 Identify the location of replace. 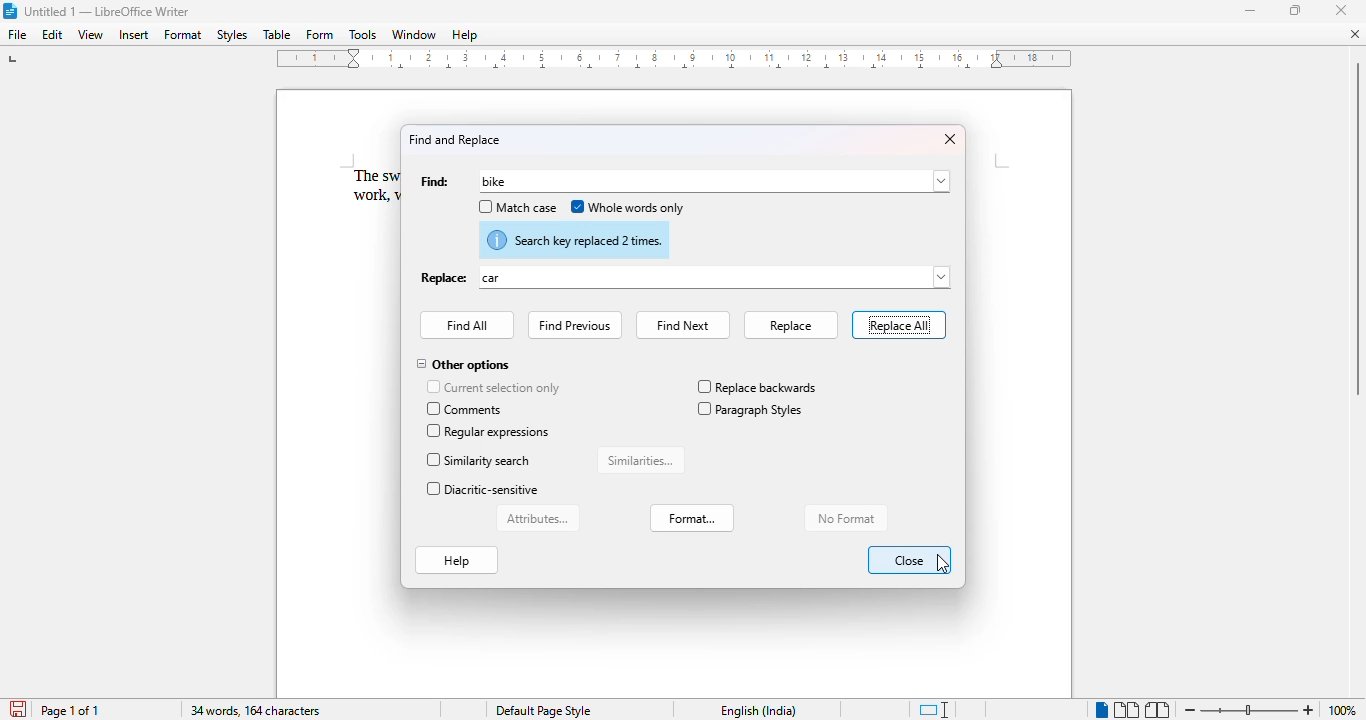
(790, 325).